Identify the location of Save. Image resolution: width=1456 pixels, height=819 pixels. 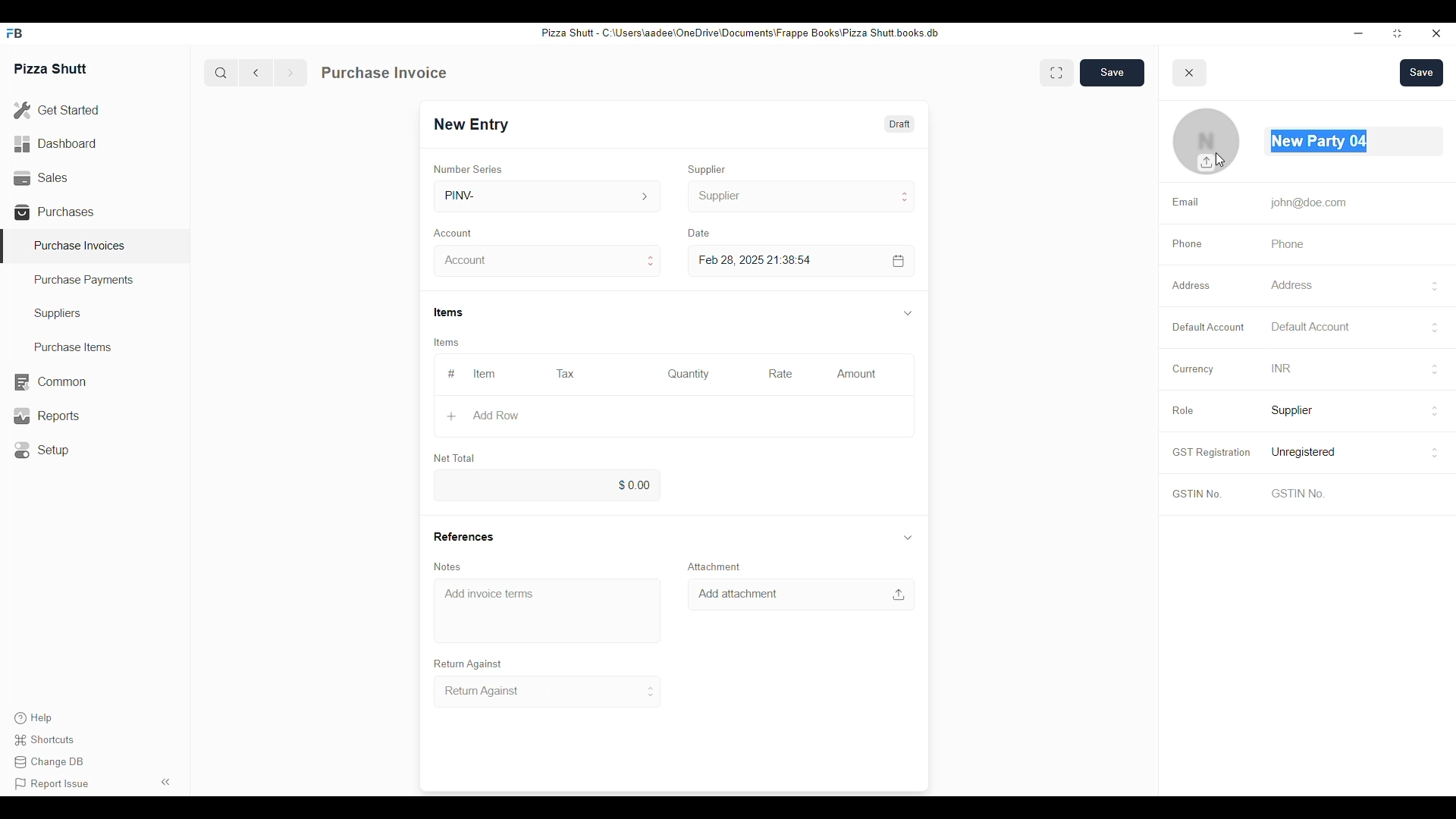
(1112, 72).